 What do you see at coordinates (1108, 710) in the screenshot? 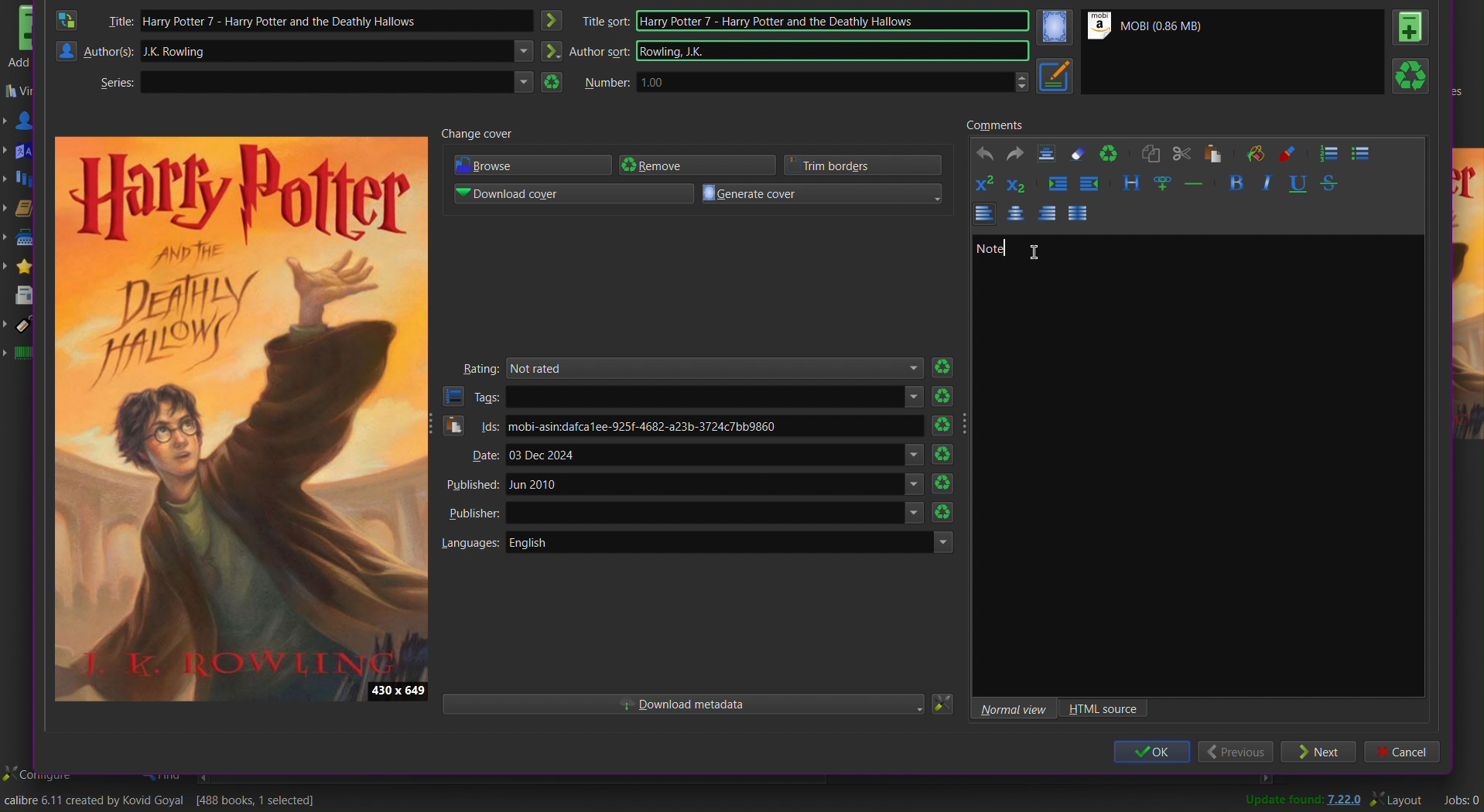
I see `HTML source` at bounding box center [1108, 710].